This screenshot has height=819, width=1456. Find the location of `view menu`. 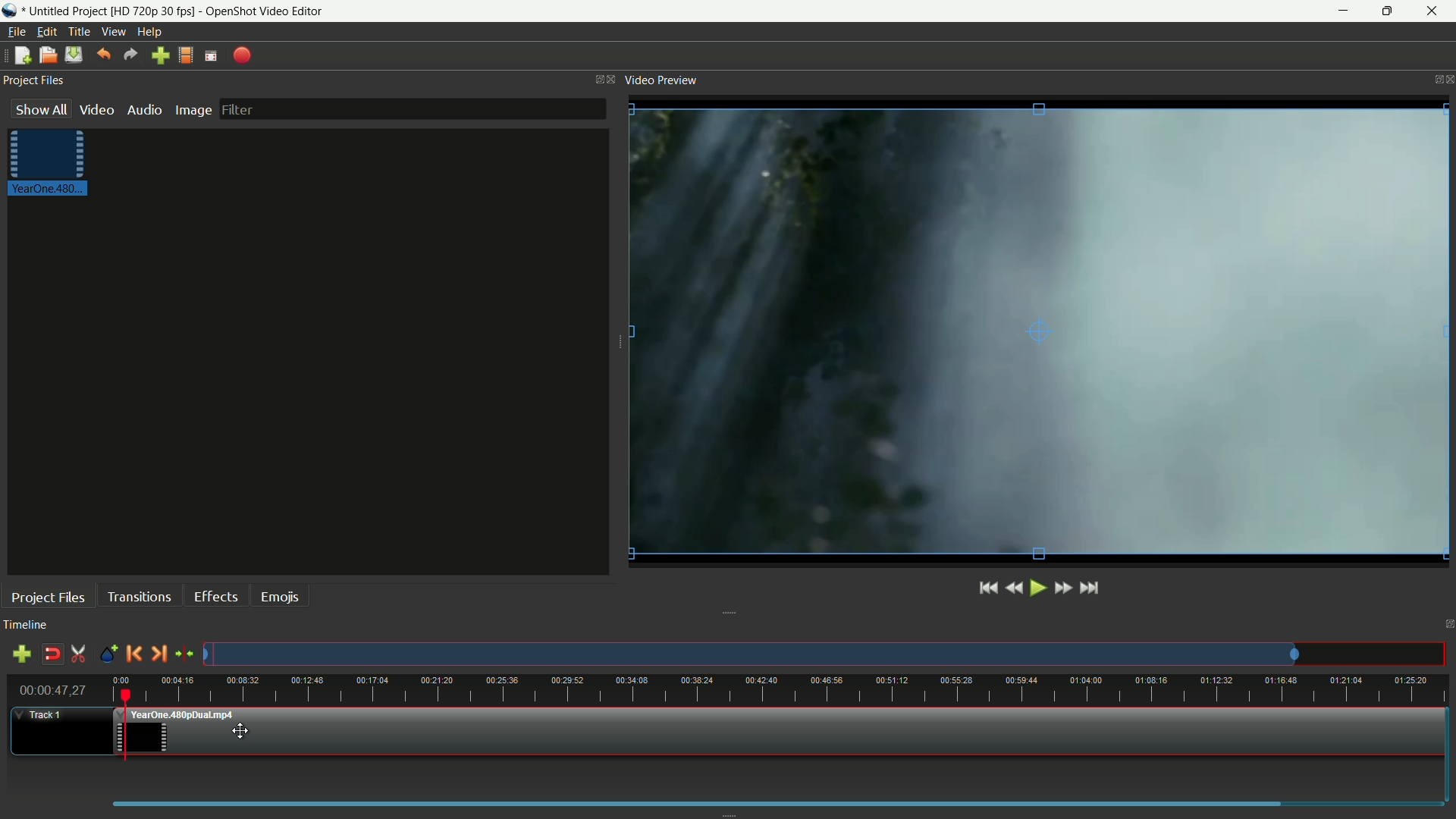

view menu is located at coordinates (113, 33).